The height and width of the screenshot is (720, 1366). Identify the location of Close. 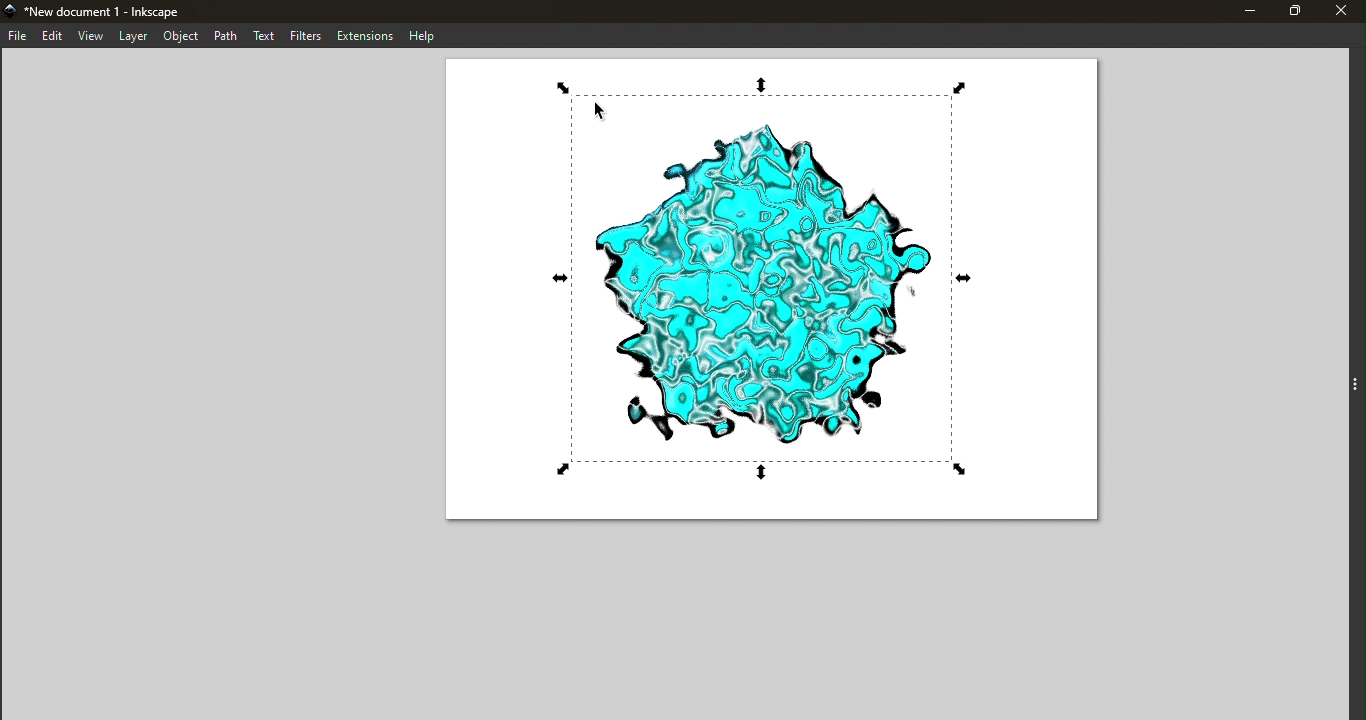
(1345, 11).